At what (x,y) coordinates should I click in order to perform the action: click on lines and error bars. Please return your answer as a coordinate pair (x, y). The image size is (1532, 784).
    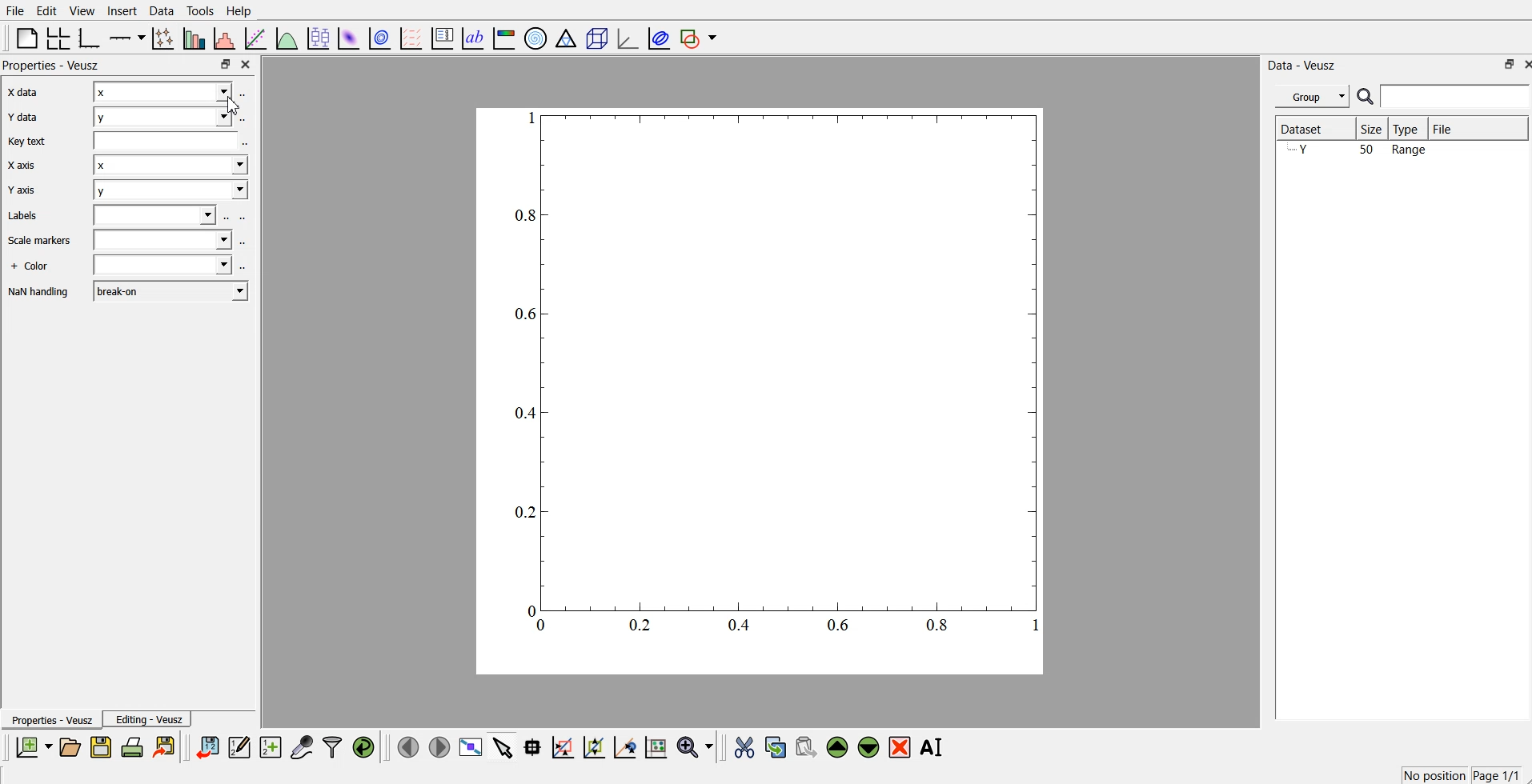
    Looking at the image, I should click on (165, 38).